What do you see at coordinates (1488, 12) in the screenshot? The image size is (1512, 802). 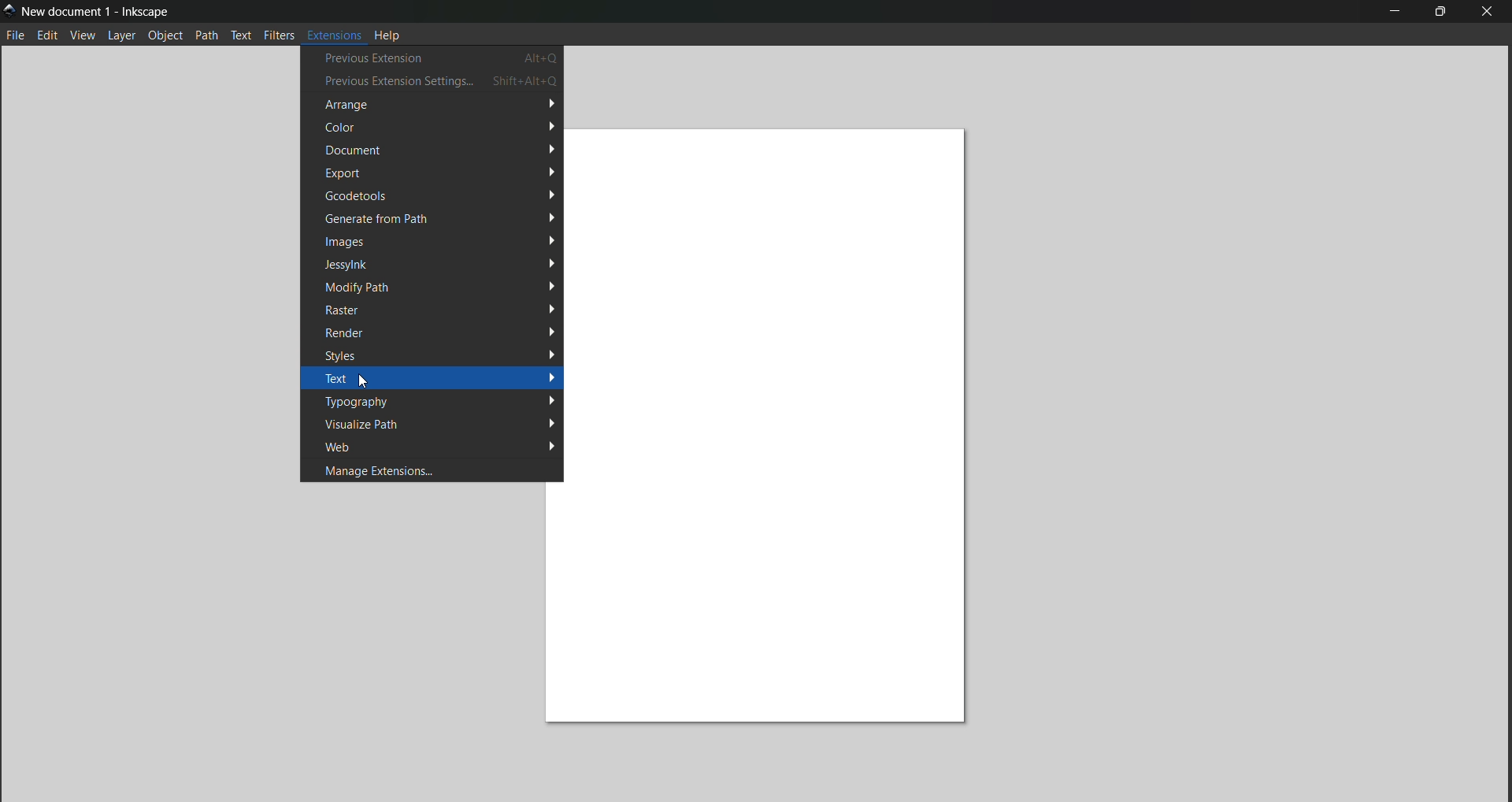 I see `close` at bounding box center [1488, 12].